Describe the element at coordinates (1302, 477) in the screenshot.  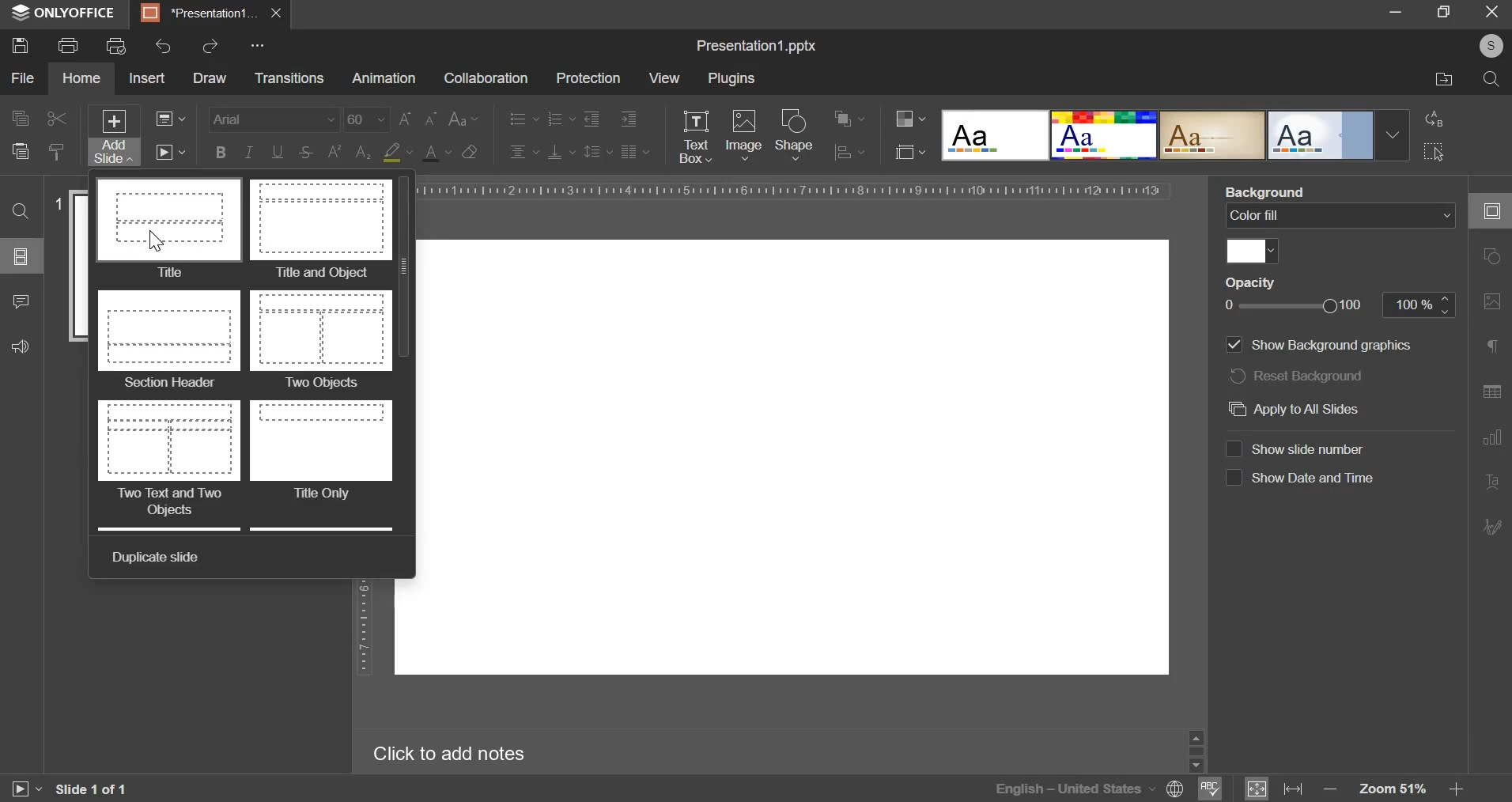
I see `show date & time` at that location.